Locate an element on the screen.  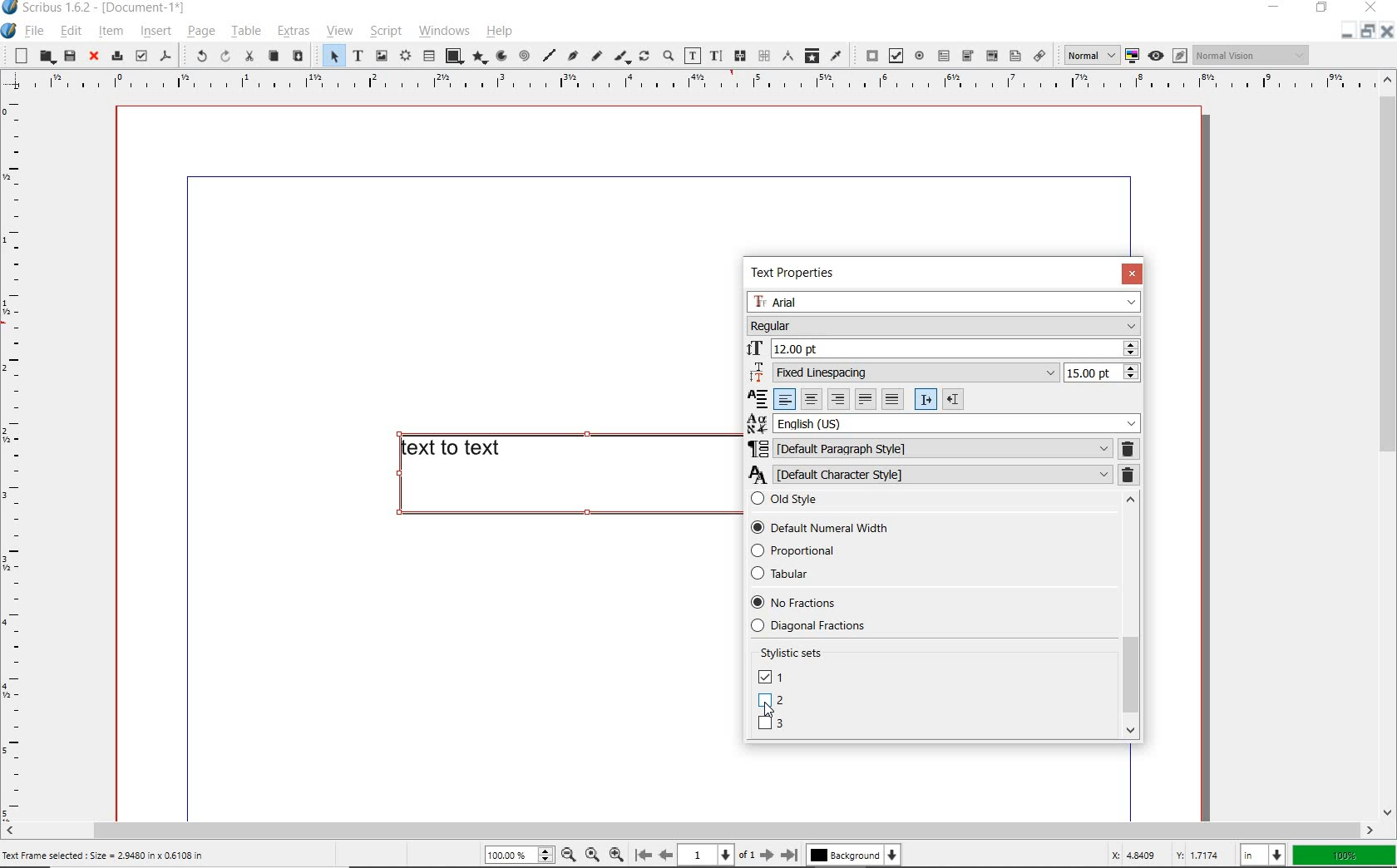
toggle color is located at coordinates (1133, 57).